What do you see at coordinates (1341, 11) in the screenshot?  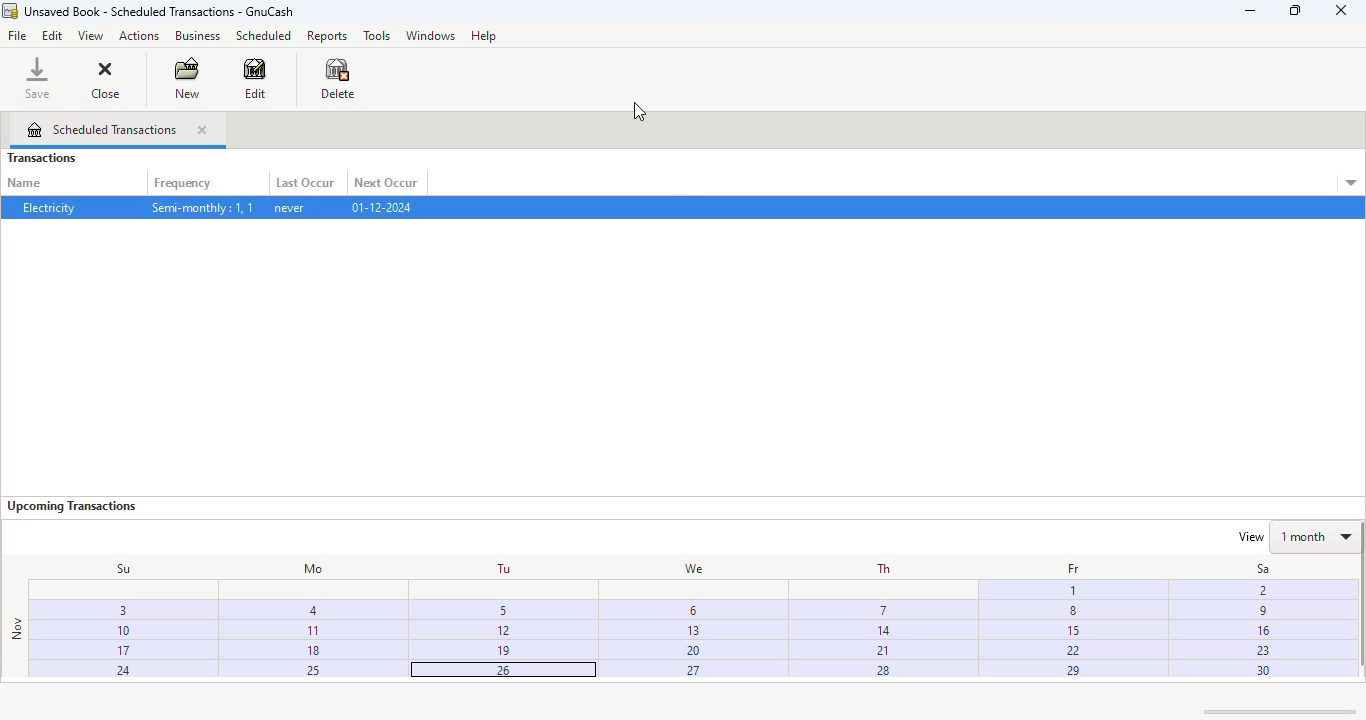 I see `close` at bounding box center [1341, 11].